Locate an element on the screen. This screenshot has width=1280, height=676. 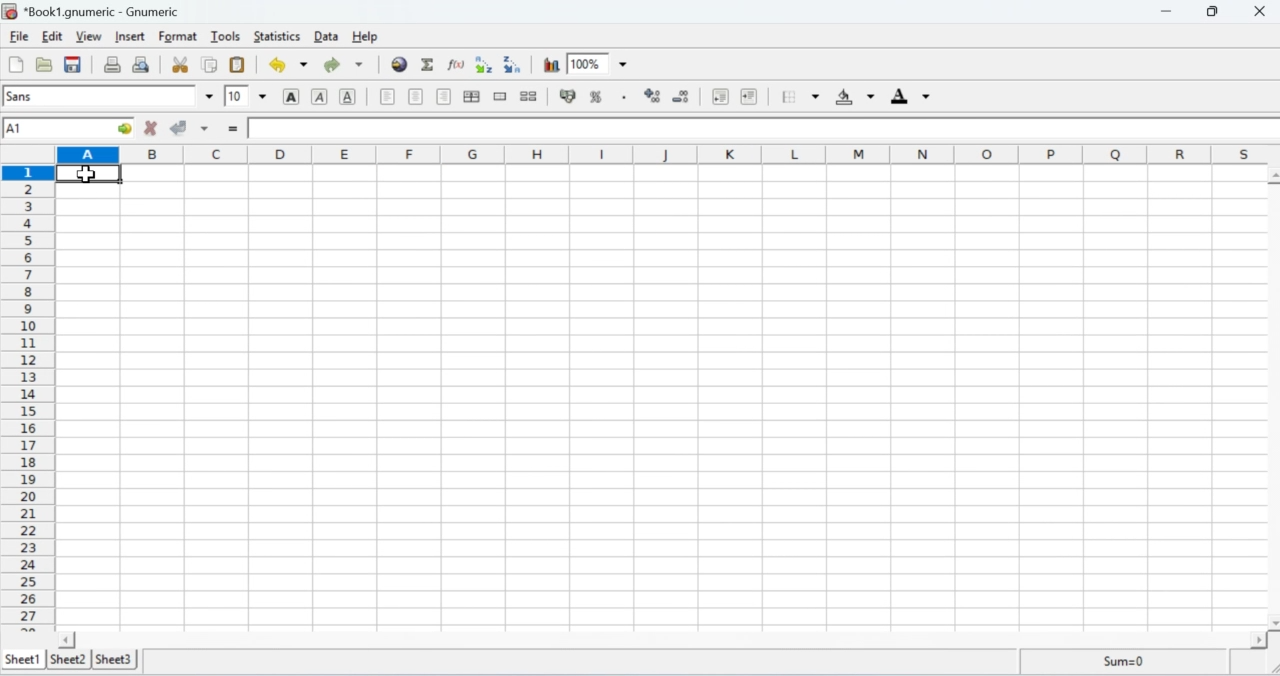
Split merged cells is located at coordinates (530, 97).